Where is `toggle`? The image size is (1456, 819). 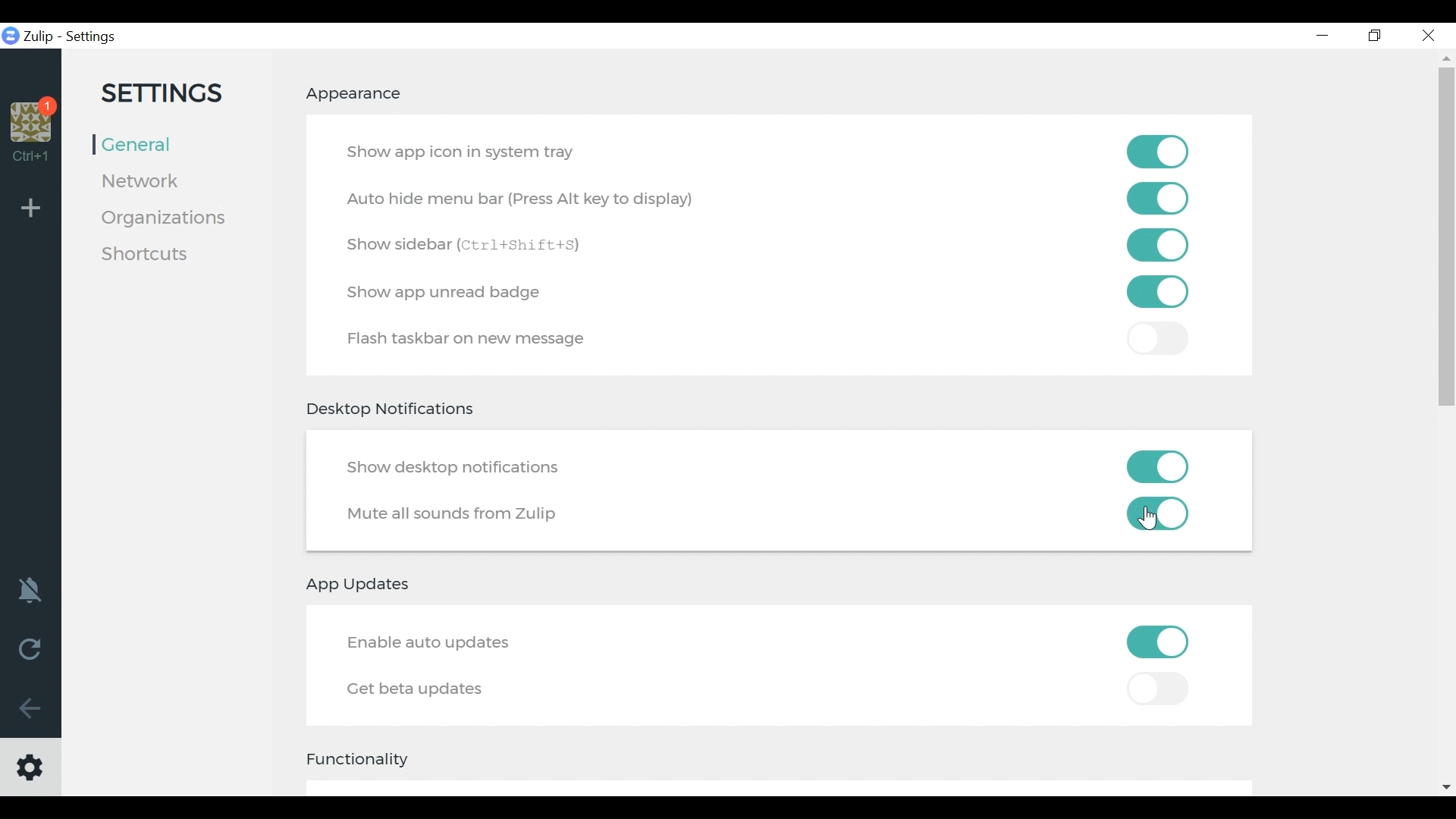 toggle is located at coordinates (1160, 340).